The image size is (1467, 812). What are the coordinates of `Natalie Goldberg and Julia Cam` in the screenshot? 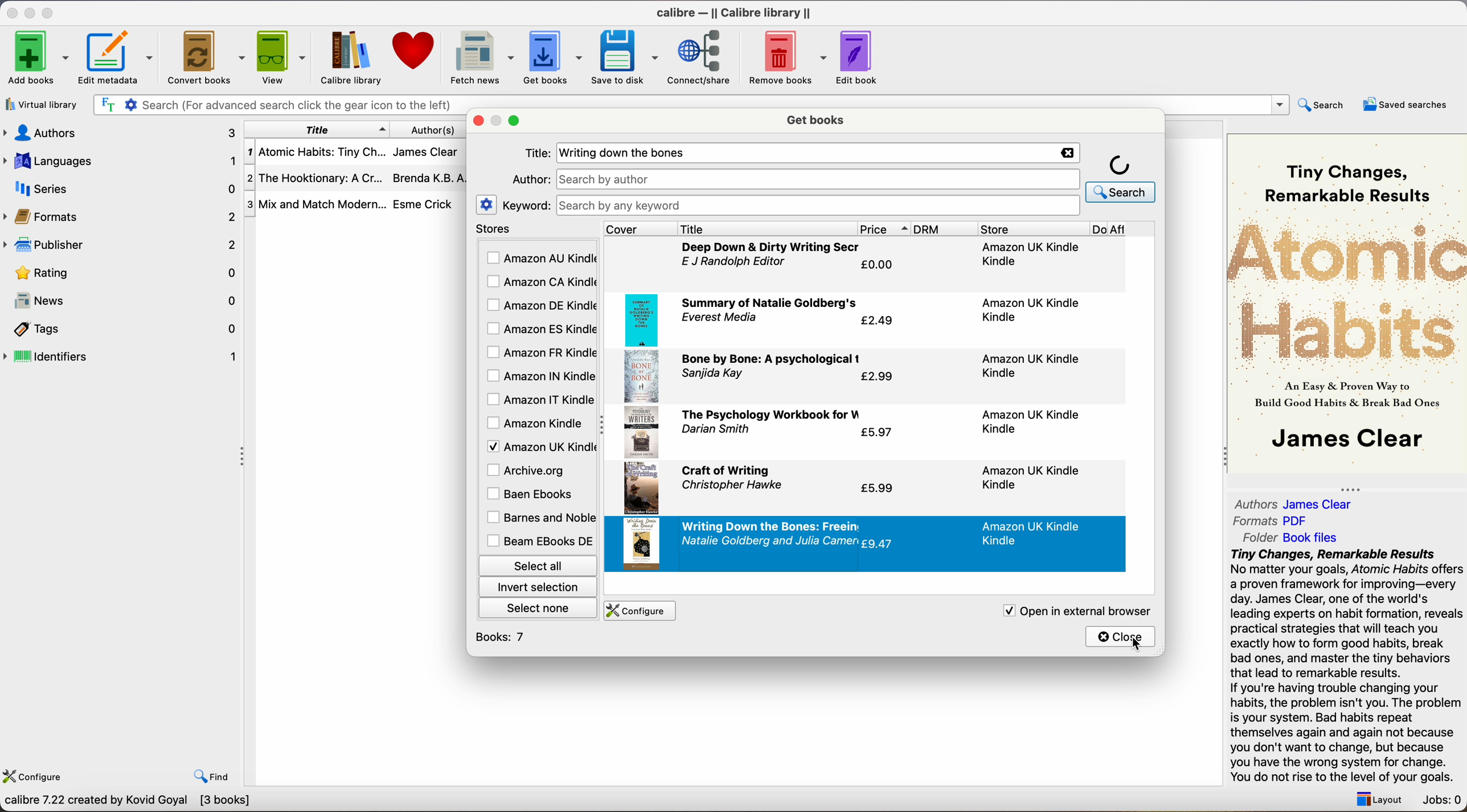 It's located at (770, 542).